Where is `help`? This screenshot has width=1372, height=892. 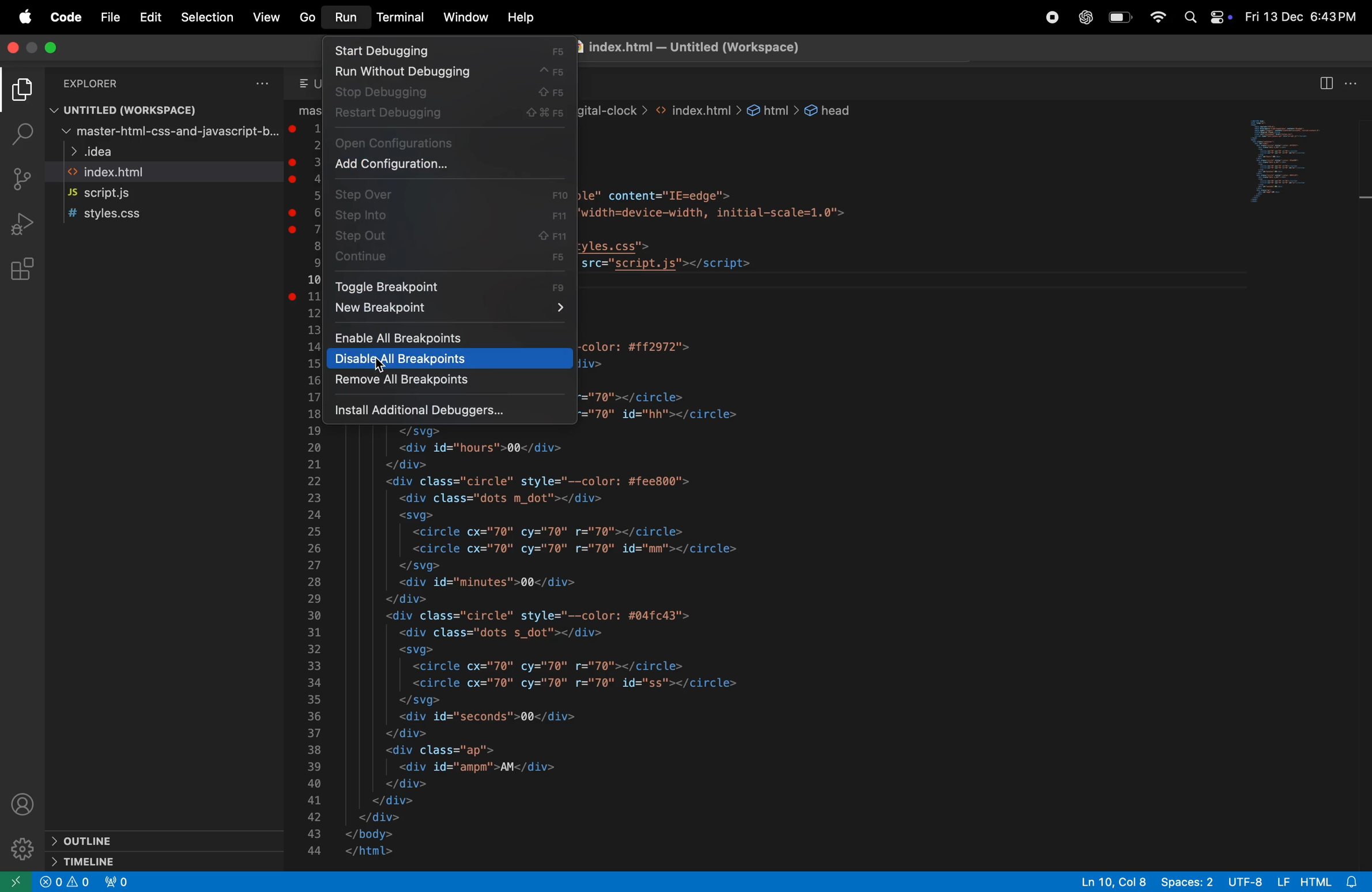
help is located at coordinates (527, 17).